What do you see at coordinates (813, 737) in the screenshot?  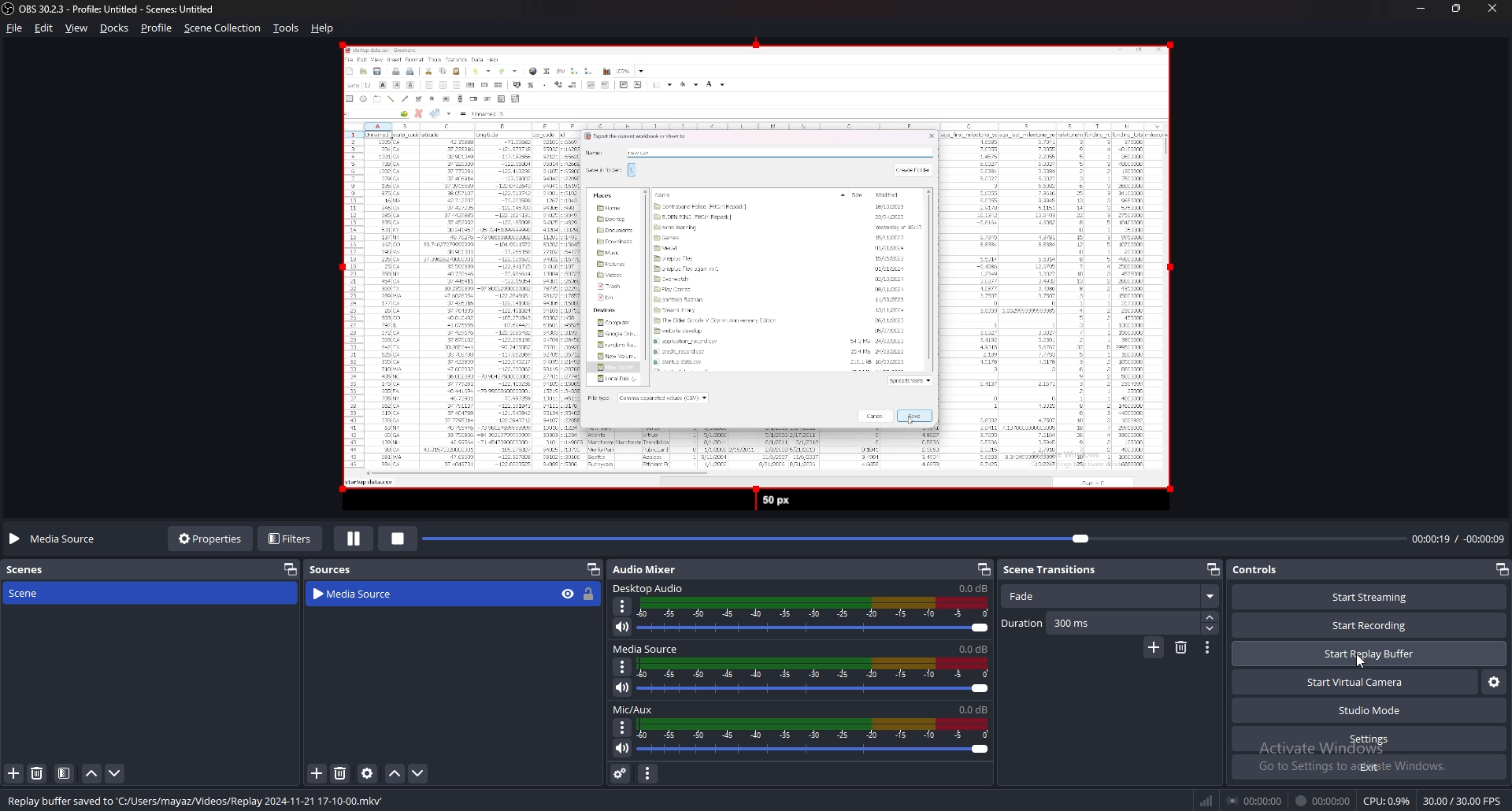 I see `mic/aux audio adjust` at bounding box center [813, 737].